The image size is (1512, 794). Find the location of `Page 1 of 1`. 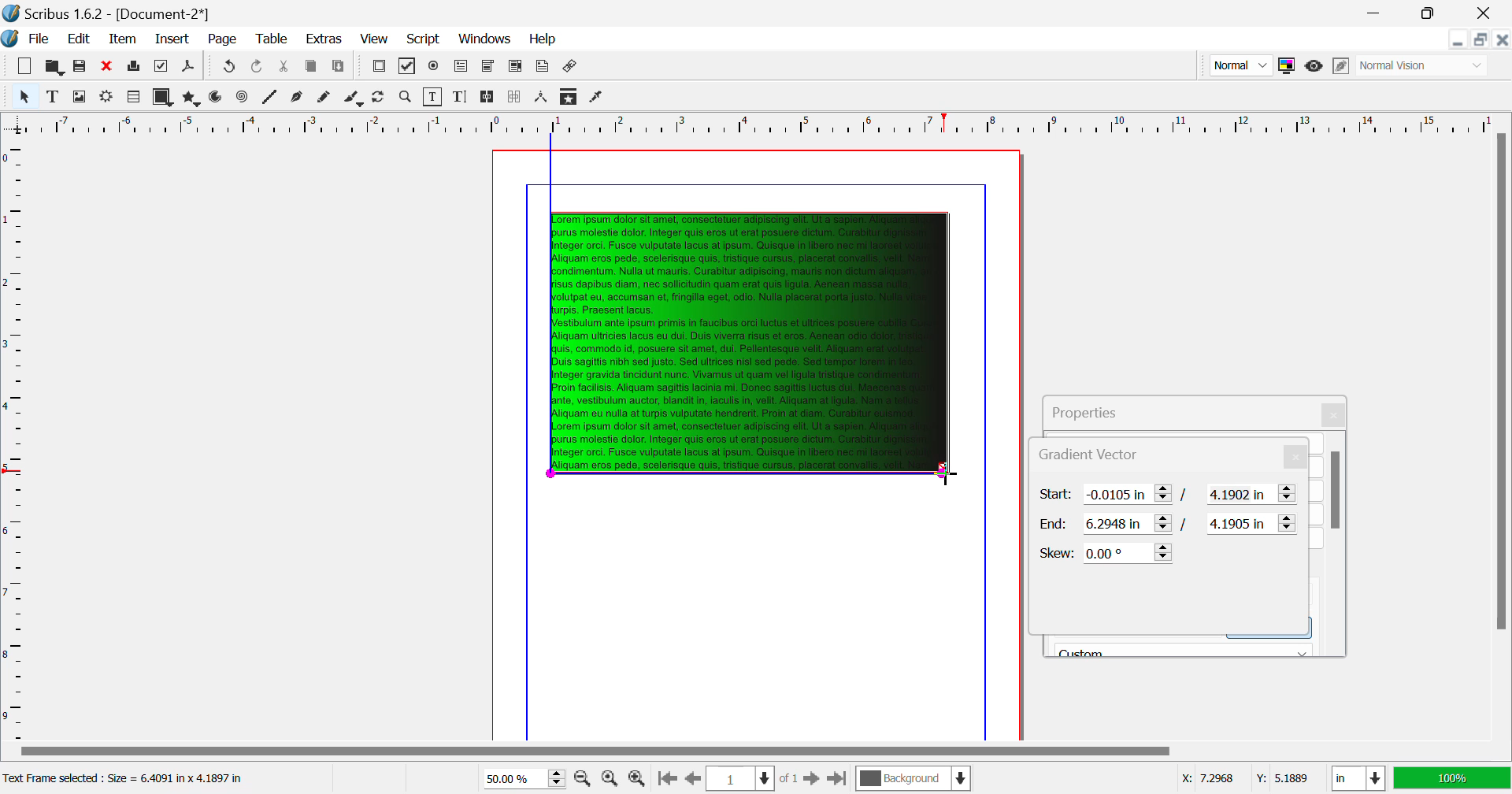

Page 1 of 1 is located at coordinates (750, 778).